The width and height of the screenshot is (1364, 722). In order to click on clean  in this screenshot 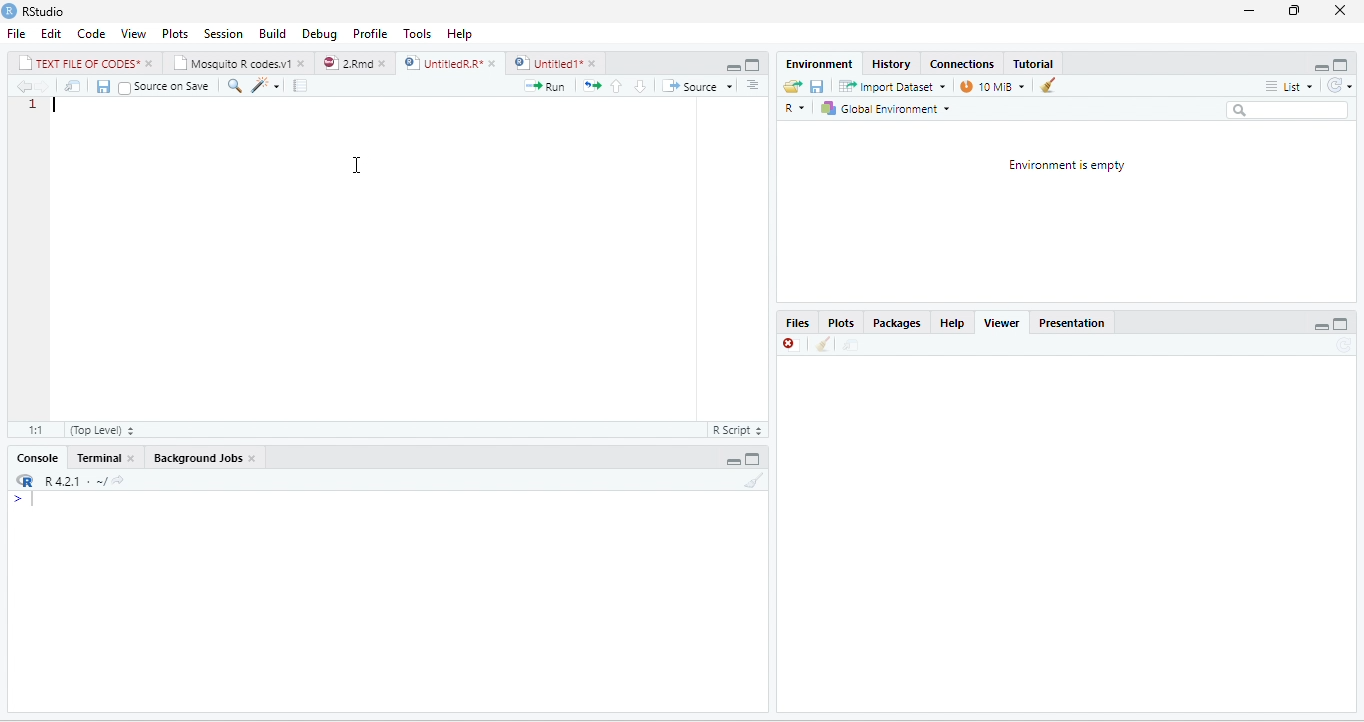, I will do `click(823, 346)`.